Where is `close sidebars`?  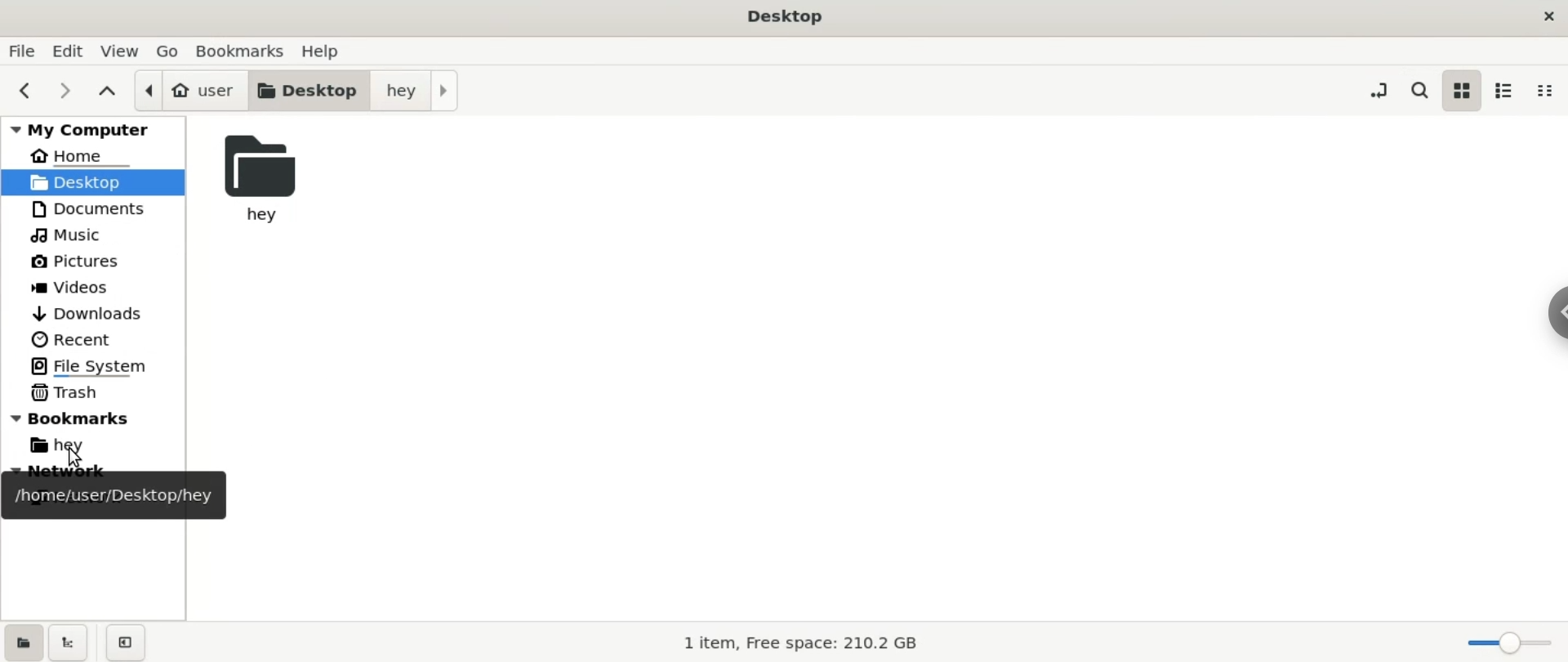 close sidebars is located at coordinates (130, 642).